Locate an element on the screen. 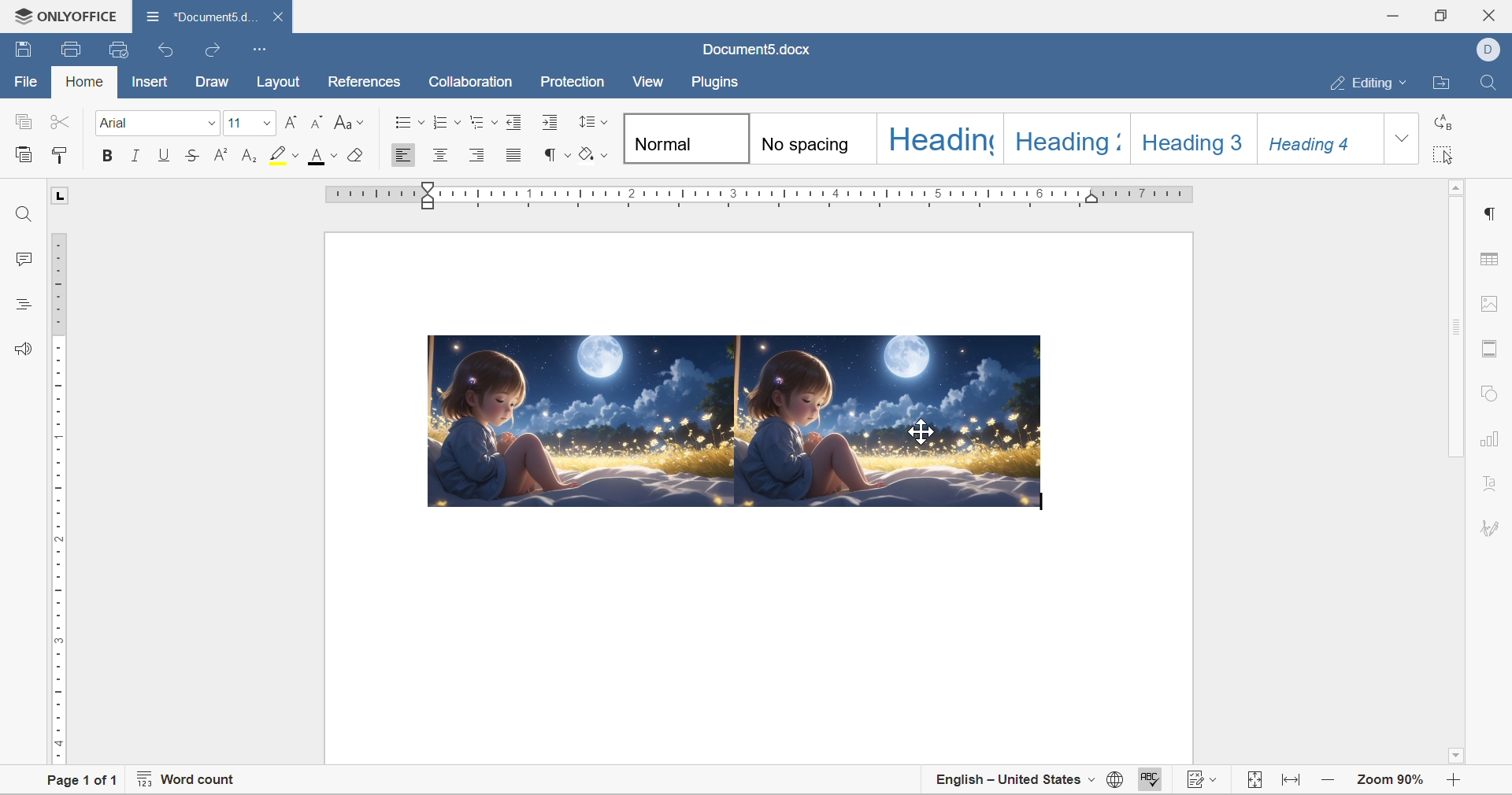 The height and width of the screenshot is (795, 1512). paragraph settings is located at coordinates (1492, 215).